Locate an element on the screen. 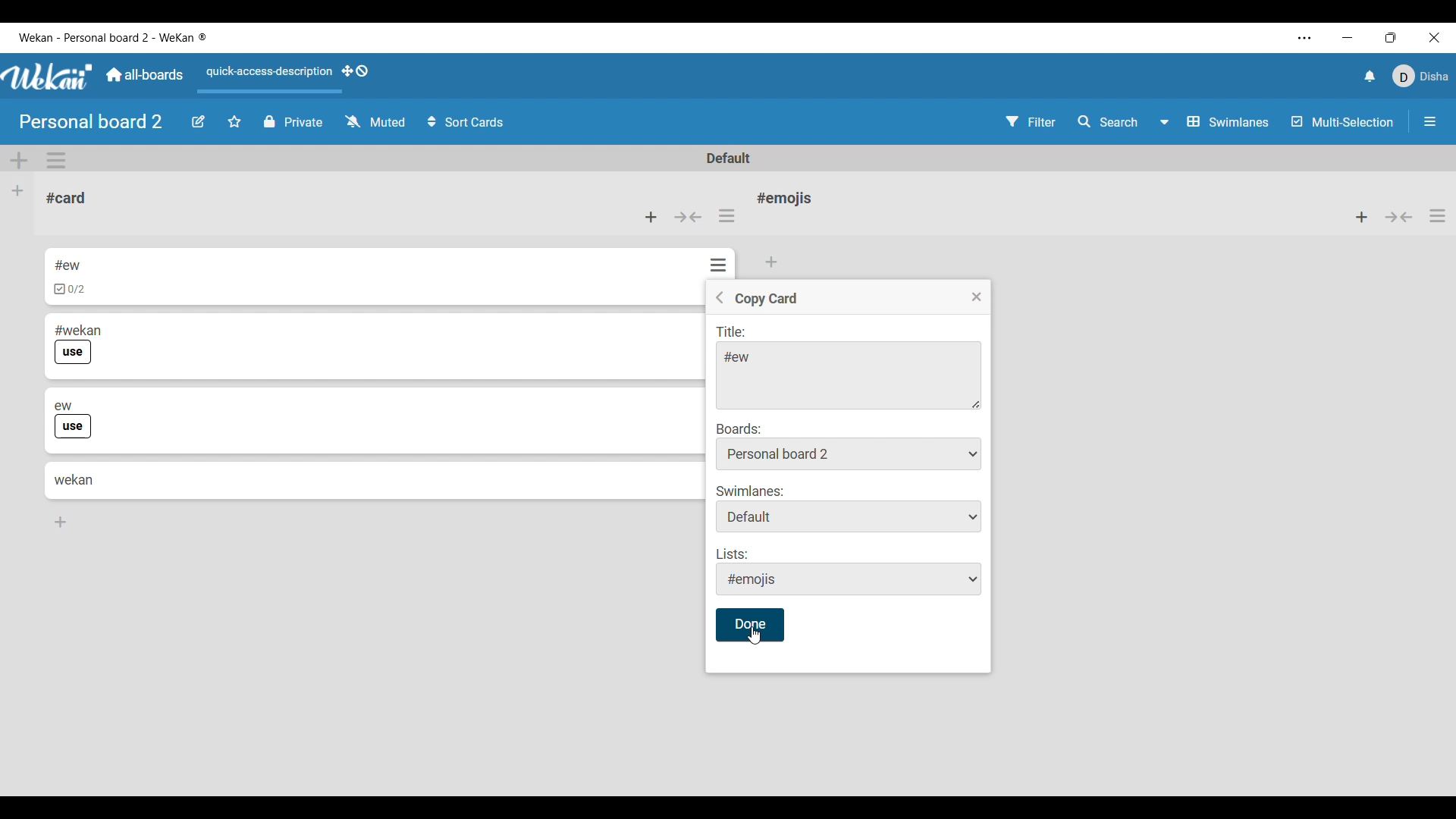 Image resolution: width=1456 pixels, height=819 pixels. Go to main dashboard is located at coordinates (143, 75).